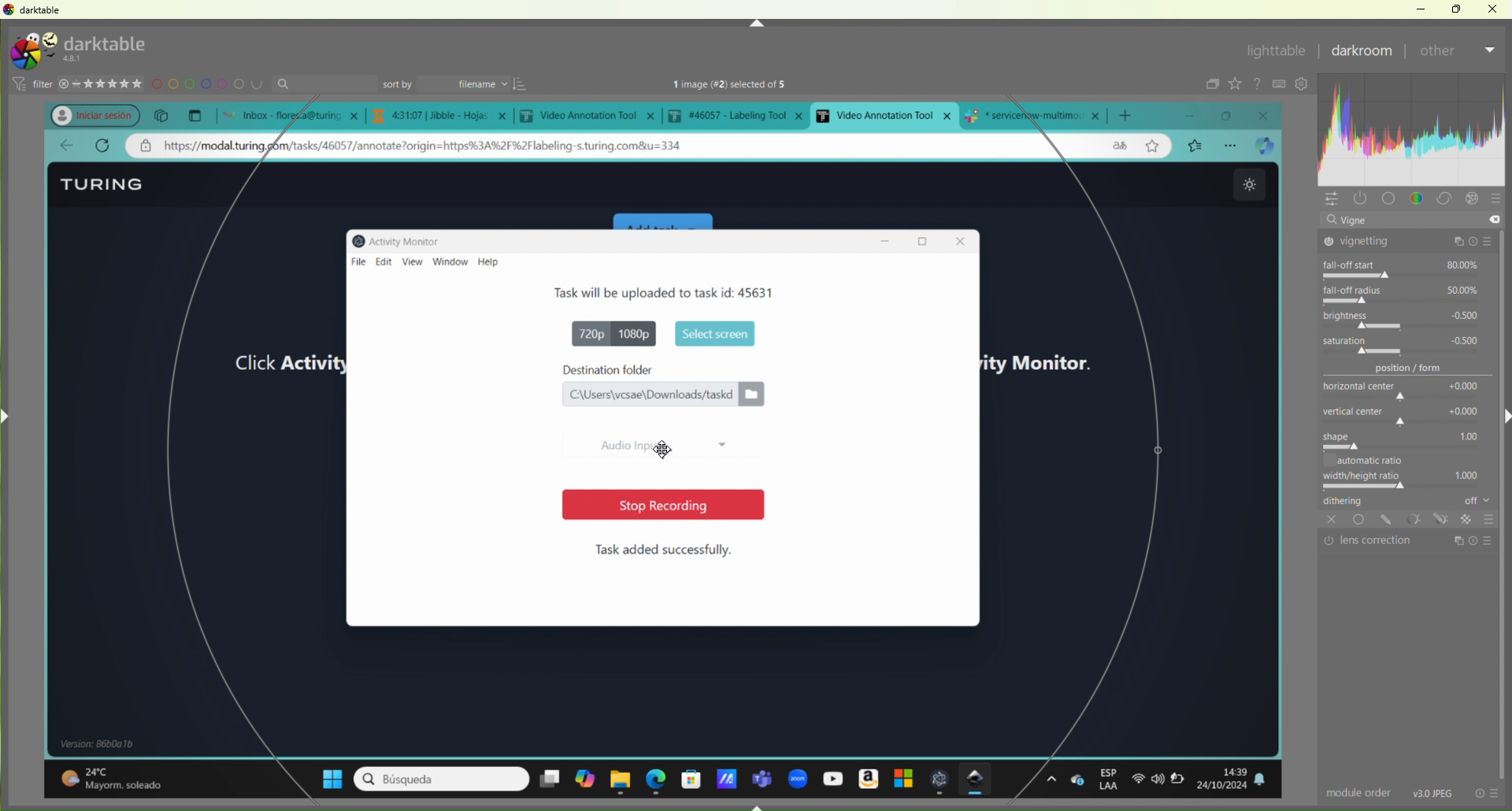  Describe the element at coordinates (273, 363) in the screenshot. I see `click activity` at that location.